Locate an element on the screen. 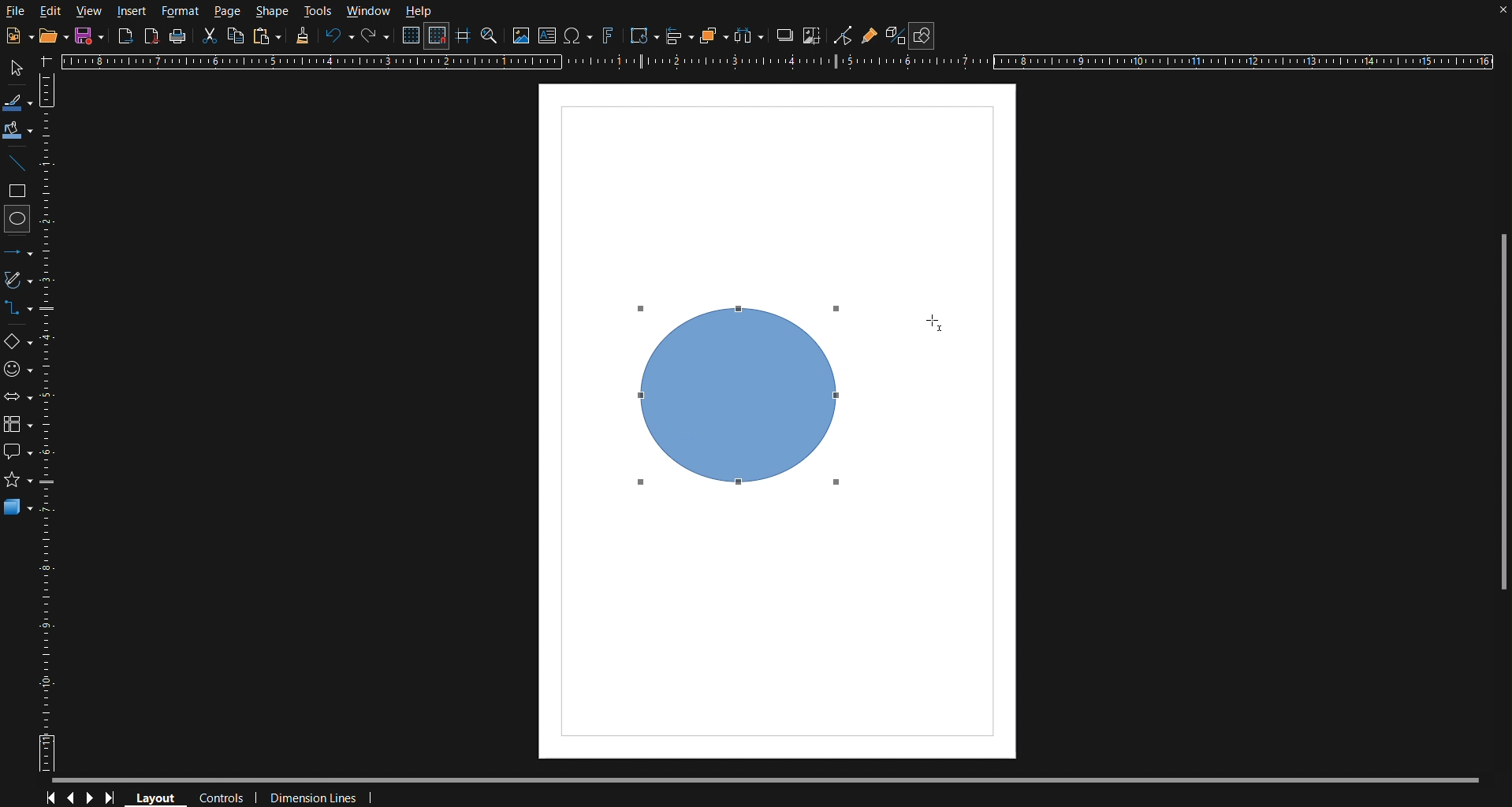 The image size is (1512, 807). Gluepoint Function is located at coordinates (870, 37).